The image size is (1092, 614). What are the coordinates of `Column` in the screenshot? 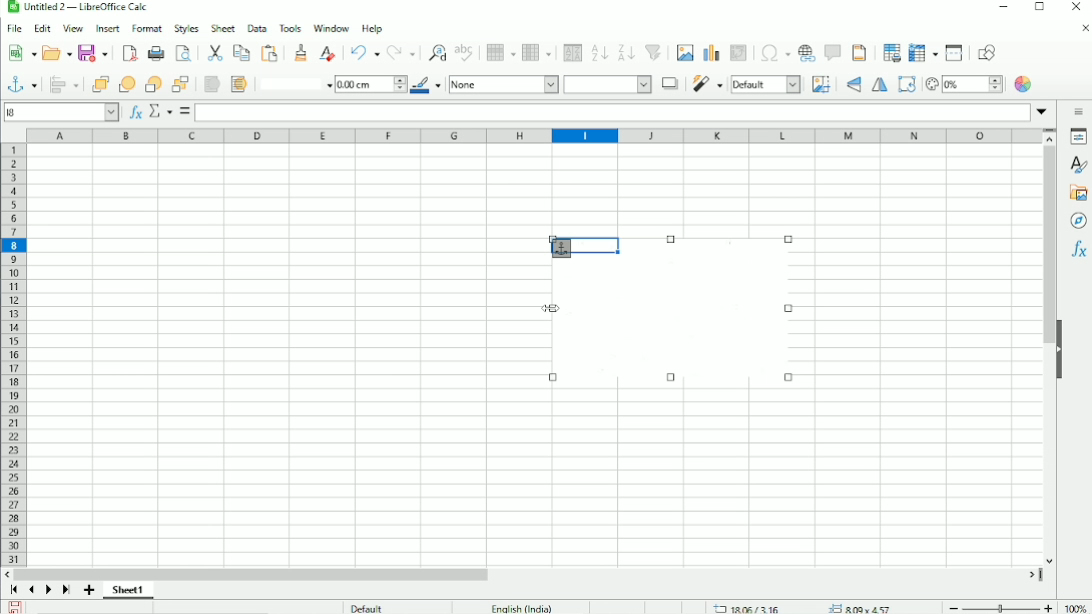 It's located at (538, 52).